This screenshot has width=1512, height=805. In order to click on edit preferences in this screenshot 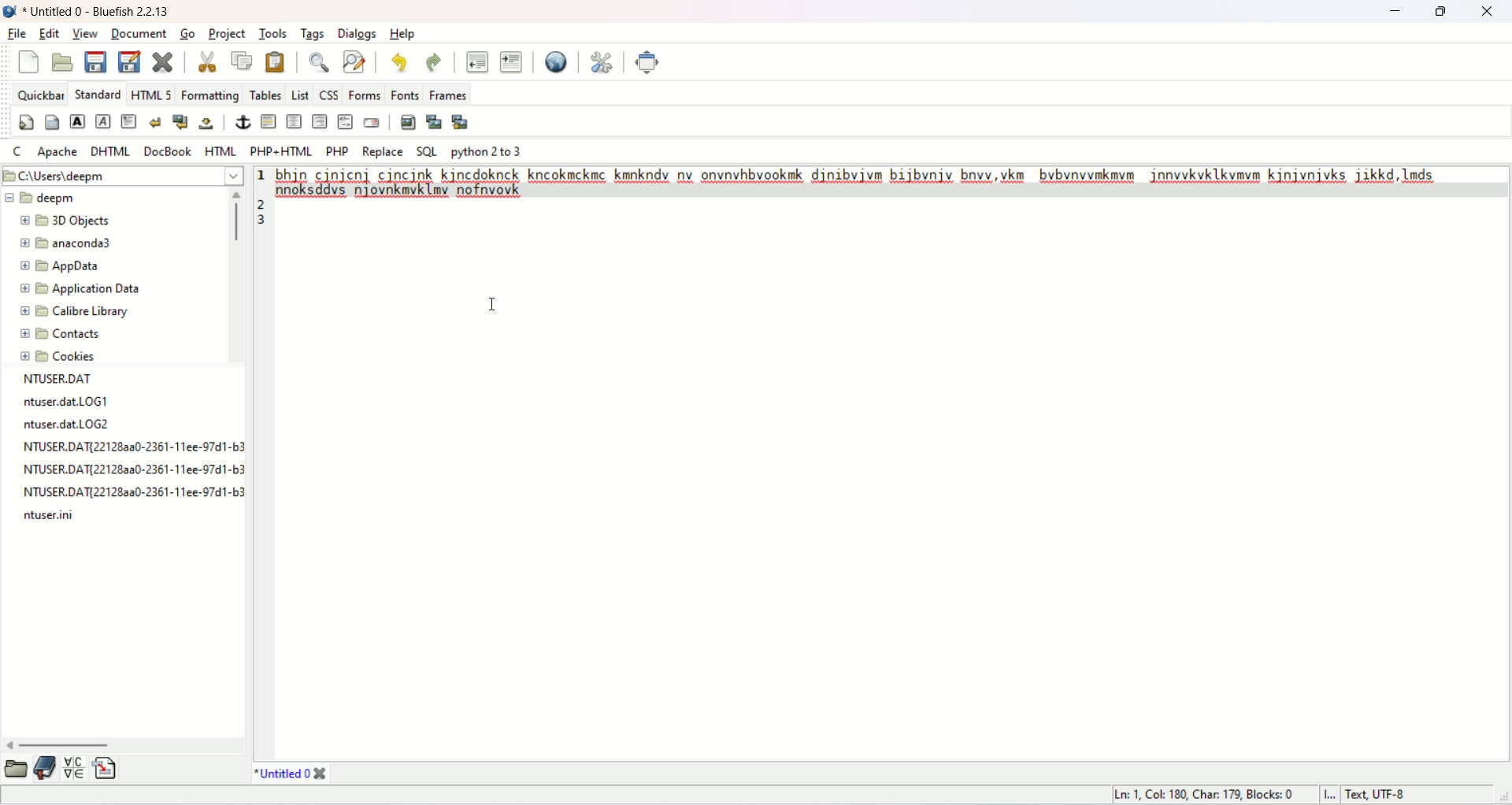, I will do `click(602, 62)`.